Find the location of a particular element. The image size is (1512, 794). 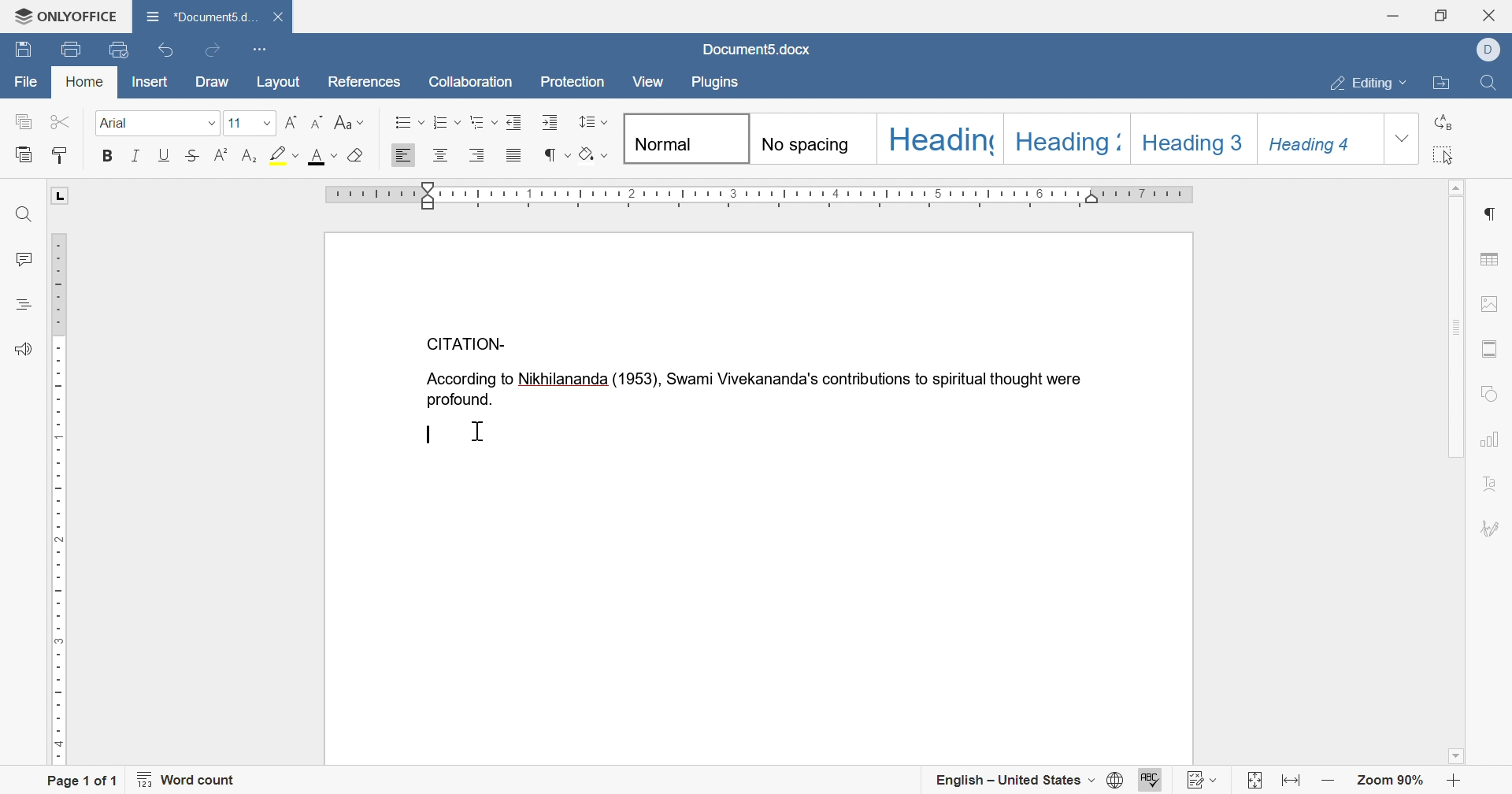

close is located at coordinates (1492, 14).